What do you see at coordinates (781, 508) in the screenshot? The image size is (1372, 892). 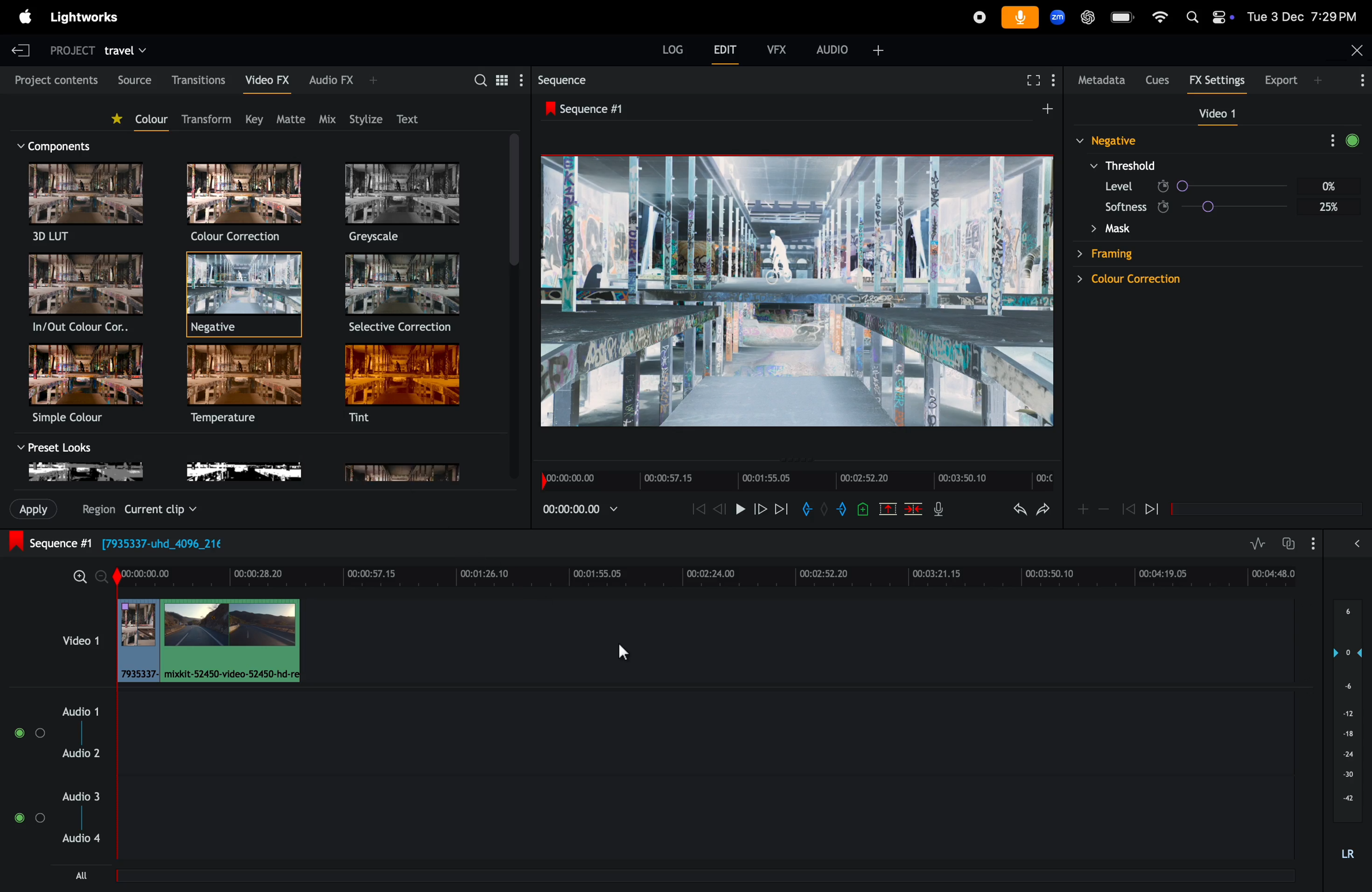 I see `next frame` at bounding box center [781, 508].